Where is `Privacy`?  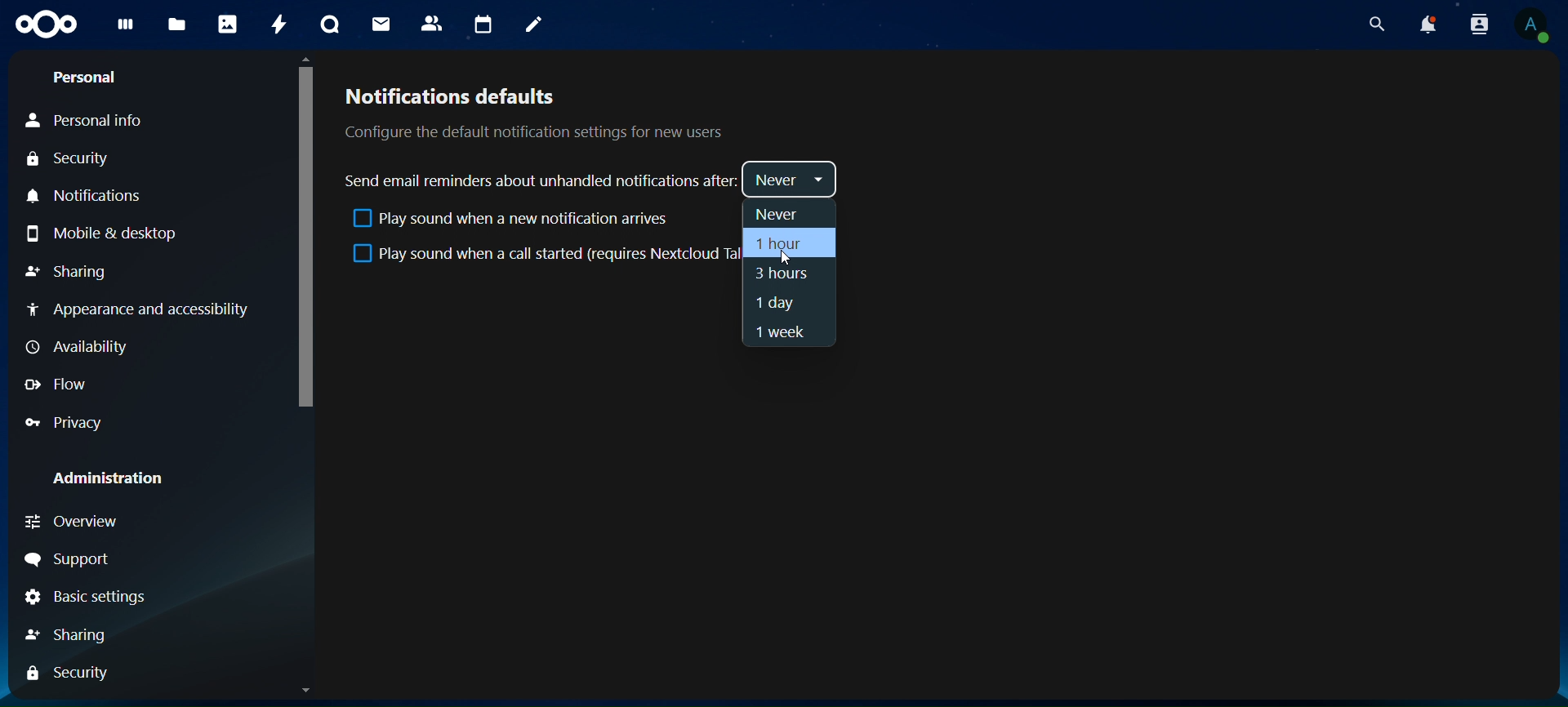 Privacy is located at coordinates (62, 423).